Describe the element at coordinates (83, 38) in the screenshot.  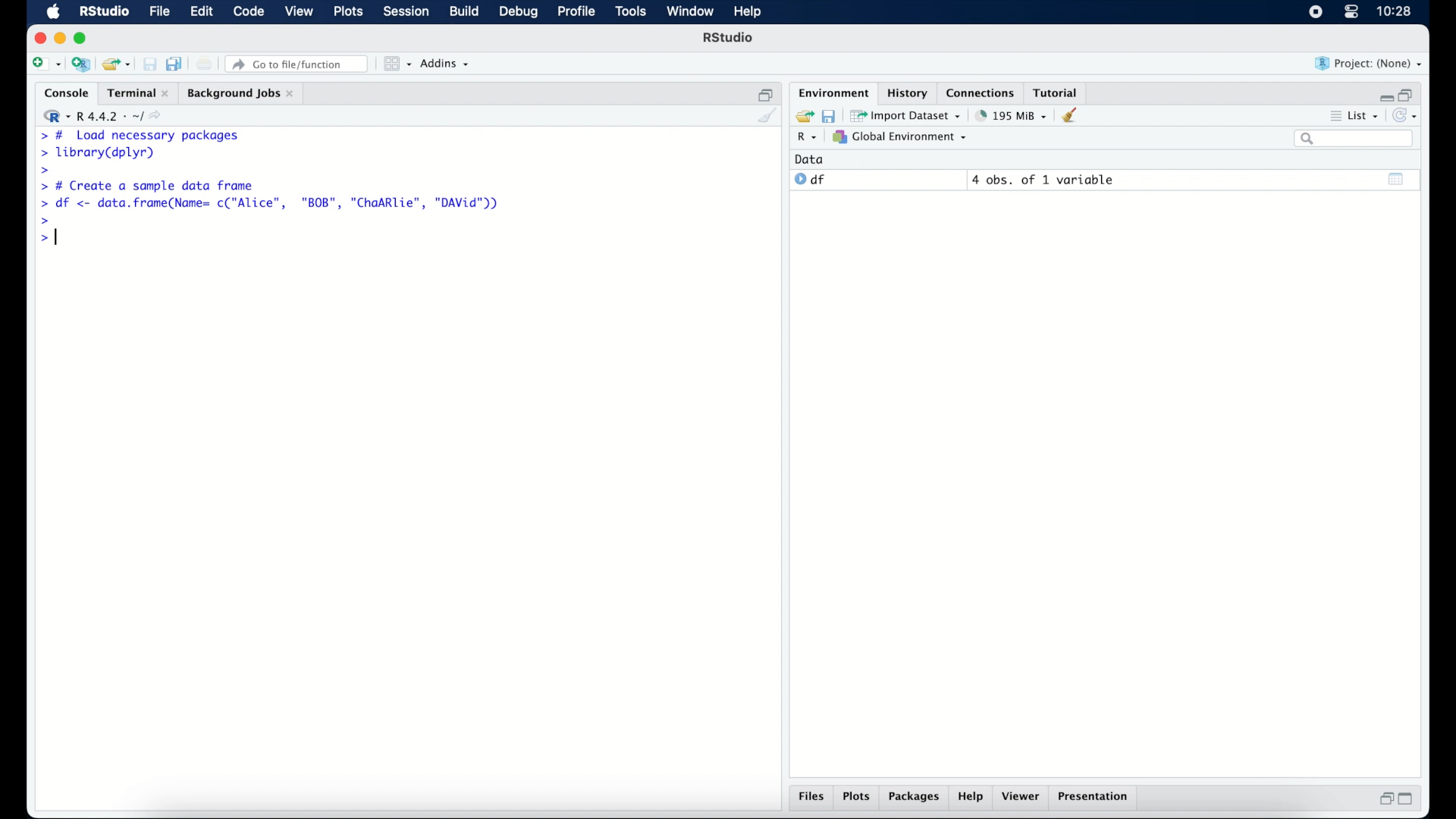
I see `maximize` at that location.